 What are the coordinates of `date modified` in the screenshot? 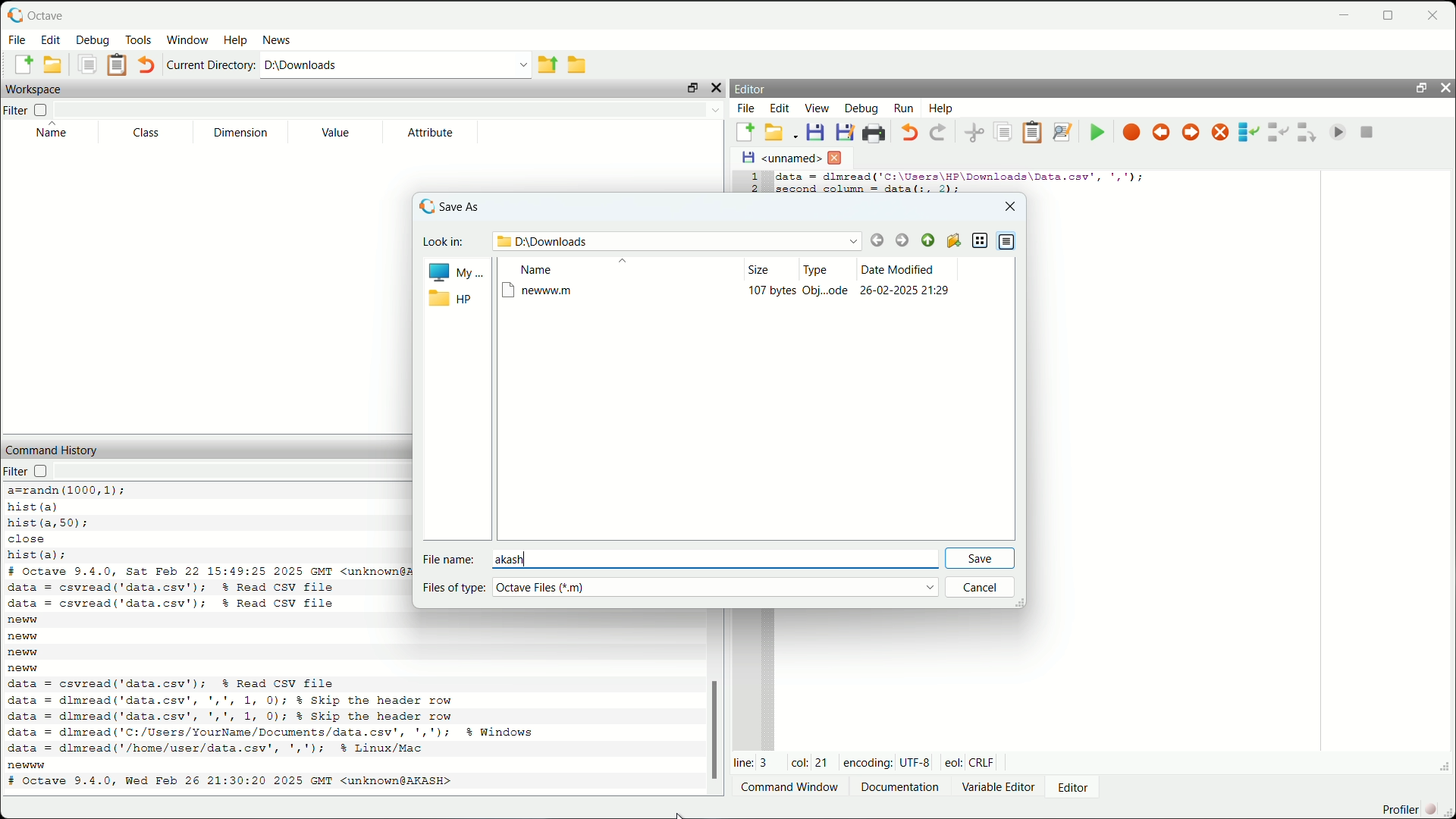 It's located at (907, 268).